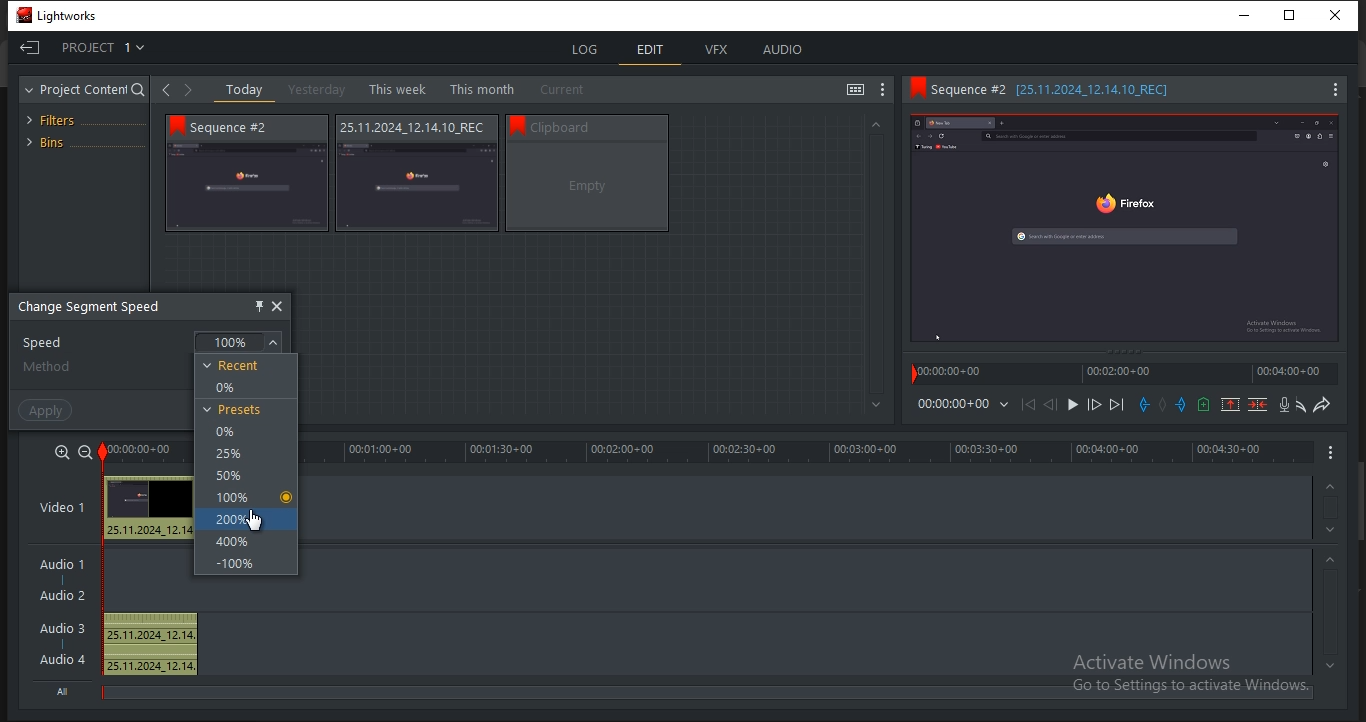  What do you see at coordinates (1324, 404) in the screenshot?
I see `redo` at bounding box center [1324, 404].